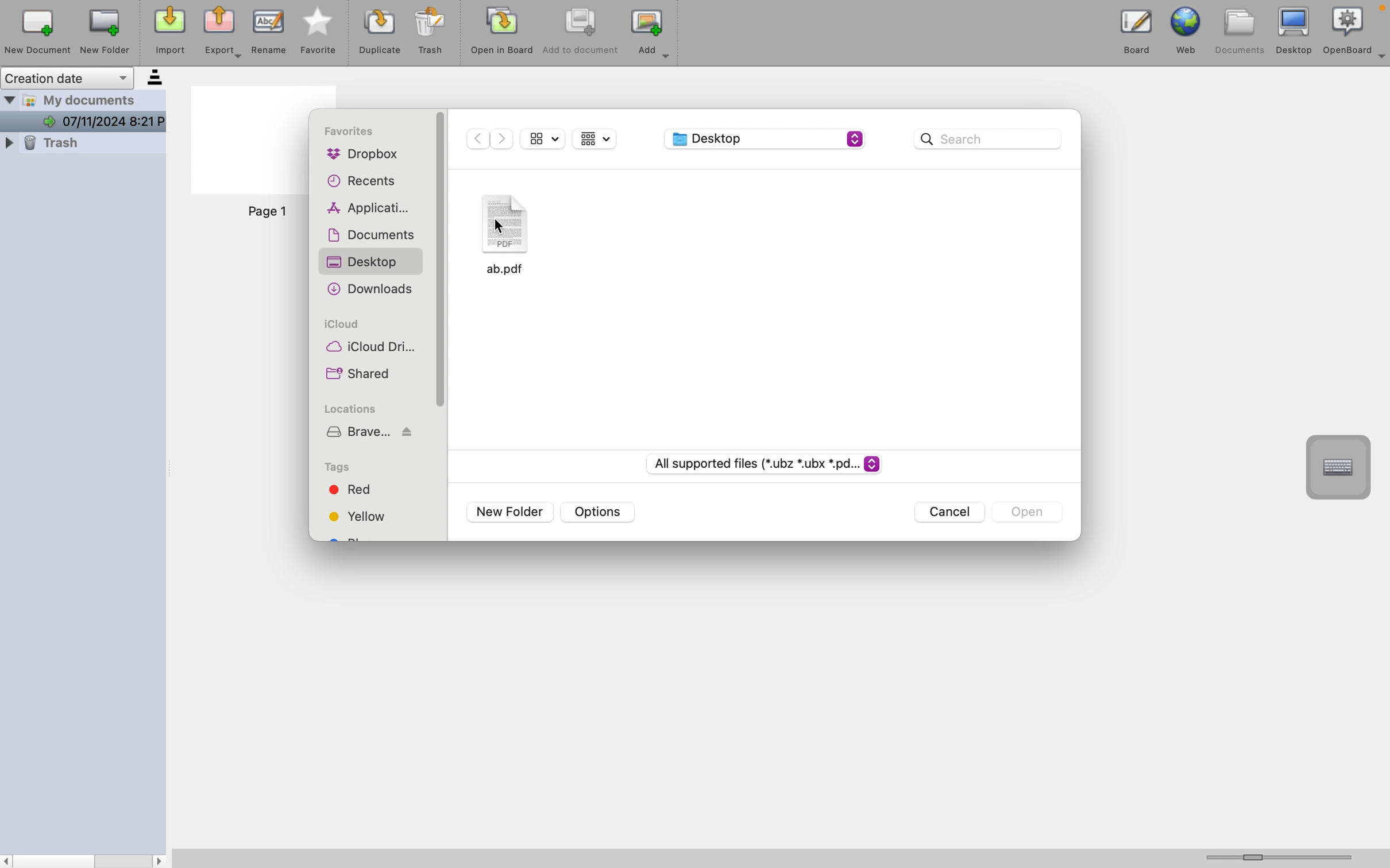 The height and width of the screenshot is (868, 1390). Describe the element at coordinates (1298, 30) in the screenshot. I see `desktop` at that location.